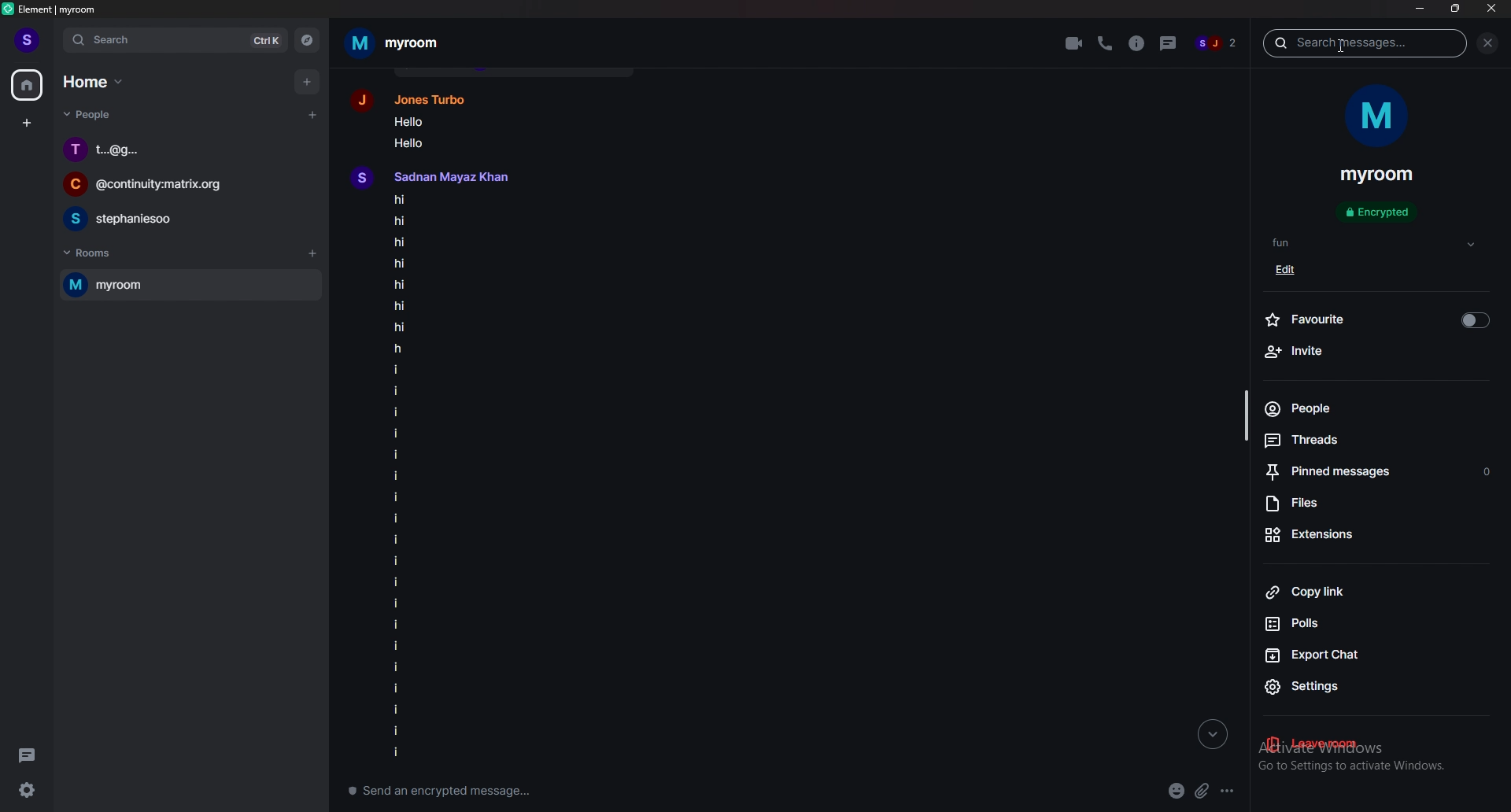 This screenshot has height=812, width=1511. I want to click on pinned message, so click(1380, 474).